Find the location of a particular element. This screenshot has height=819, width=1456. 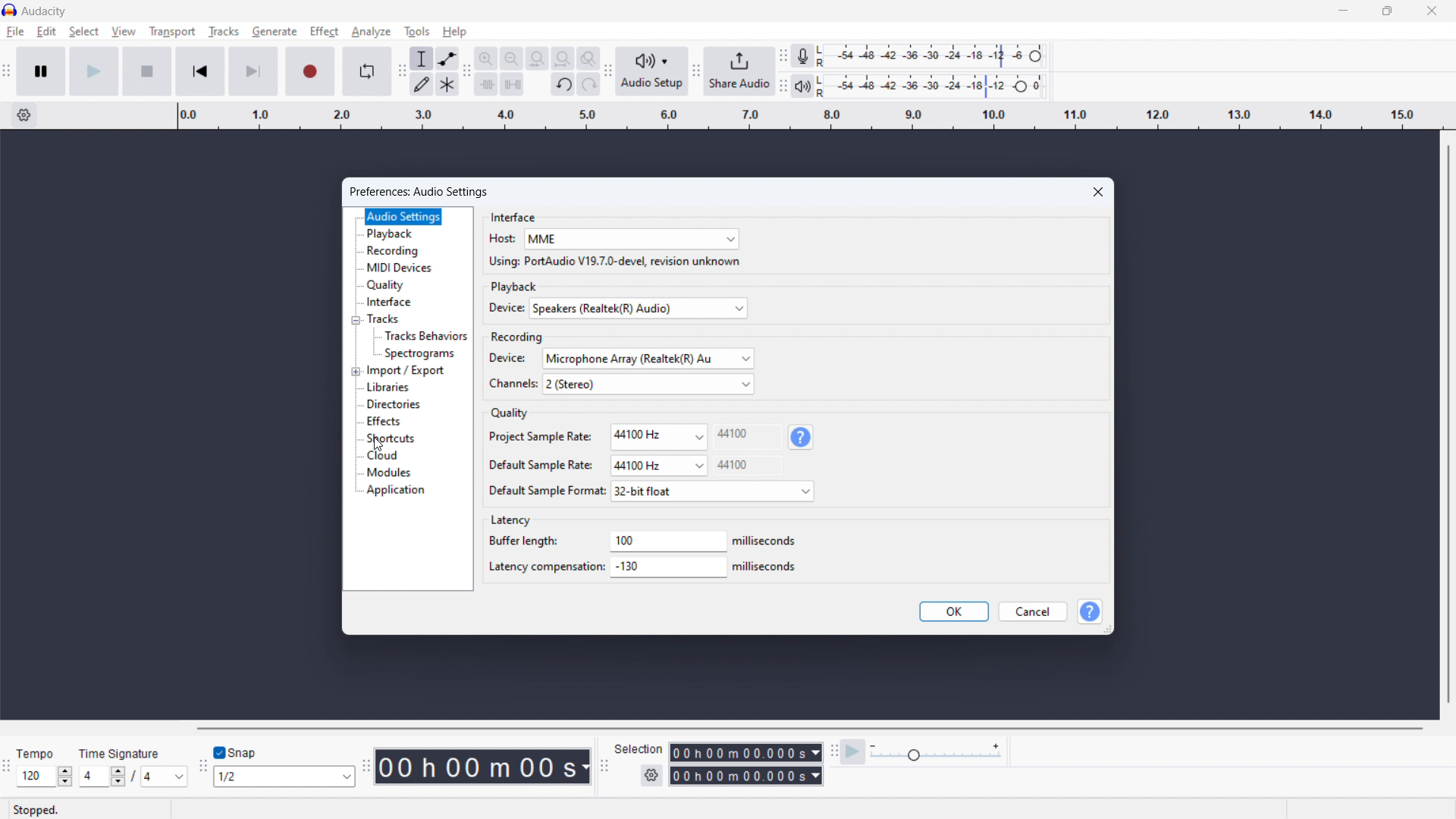

Increase/Decrease Tempo is located at coordinates (65, 777).